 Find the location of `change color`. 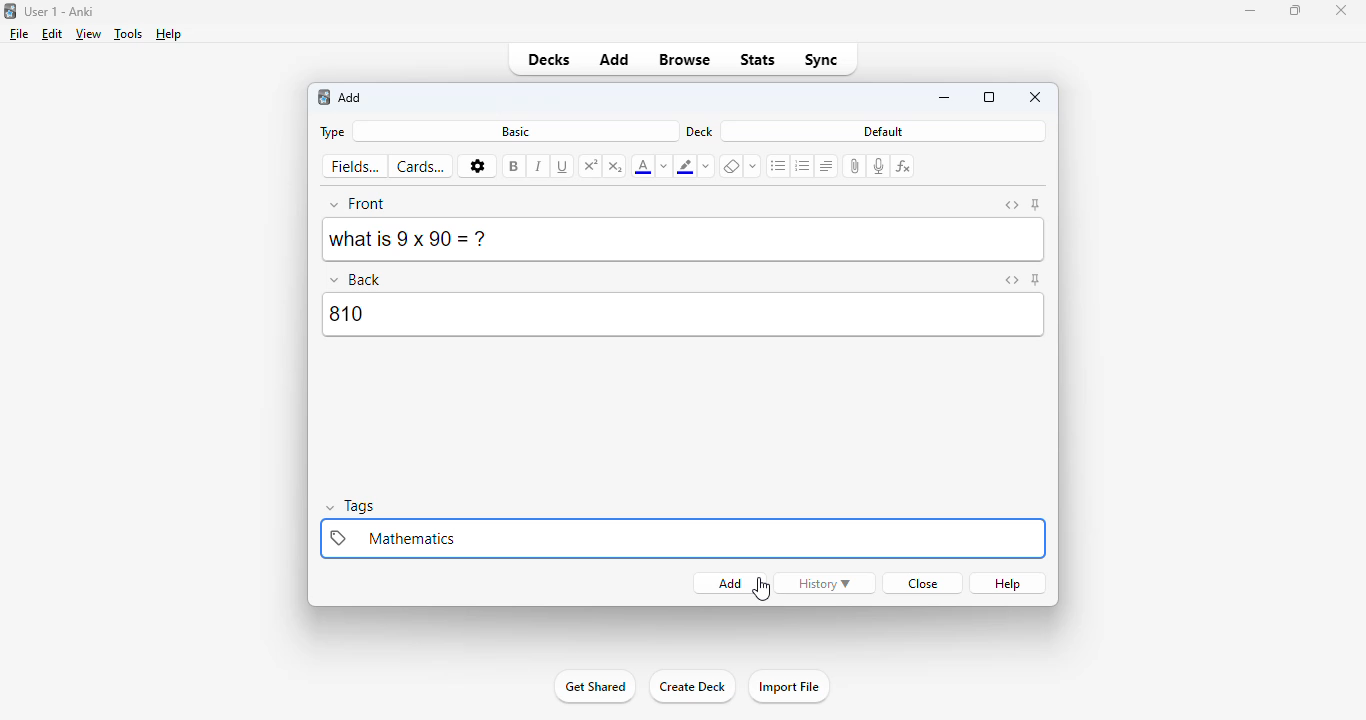

change color is located at coordinates (708, 166).